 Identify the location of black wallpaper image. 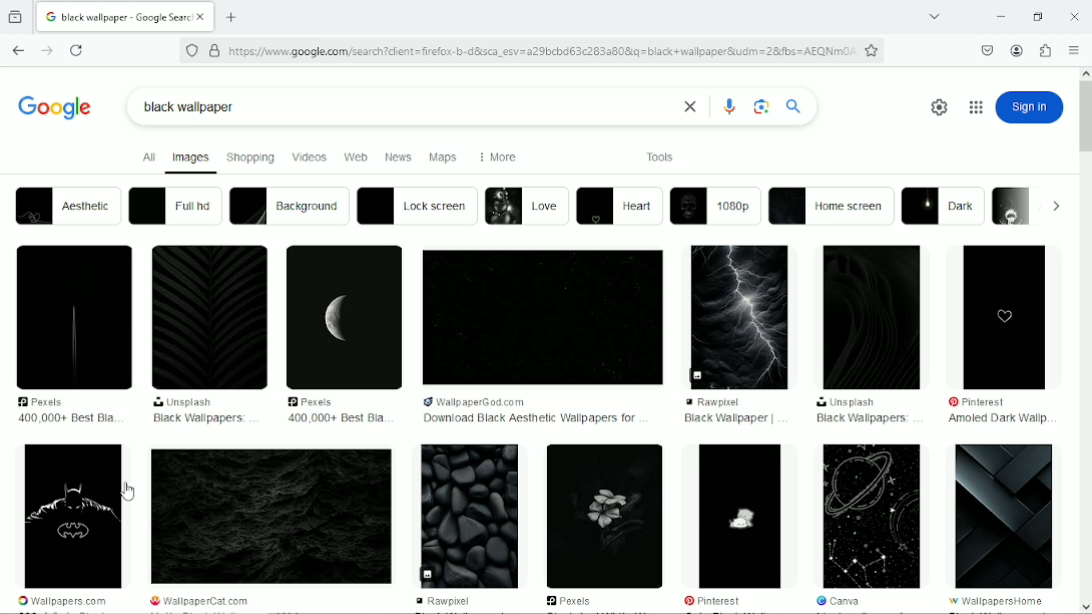
(73, 517).